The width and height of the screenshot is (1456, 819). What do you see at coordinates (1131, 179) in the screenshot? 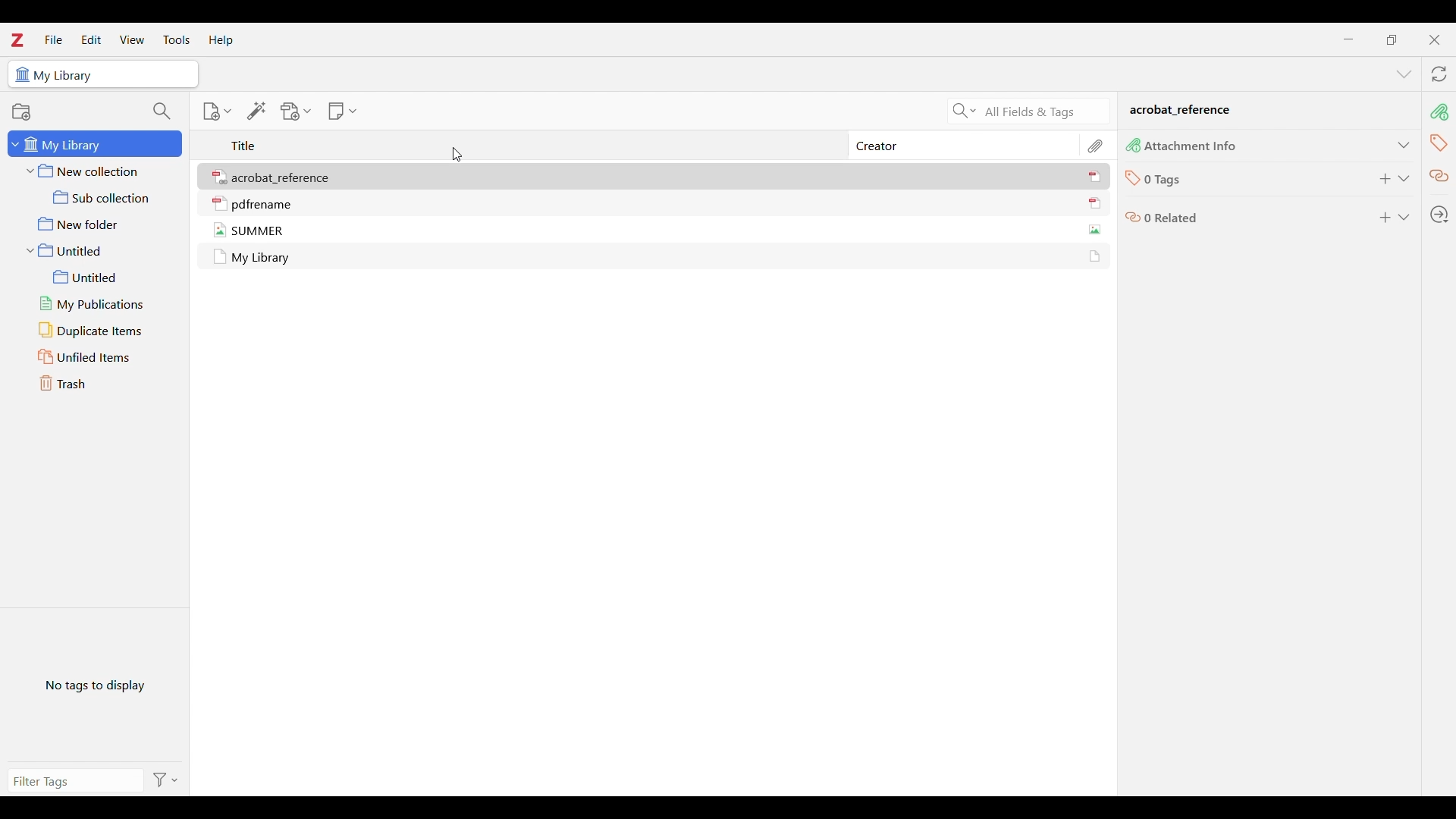
I see `icon` at bounding box center [1131, 179].